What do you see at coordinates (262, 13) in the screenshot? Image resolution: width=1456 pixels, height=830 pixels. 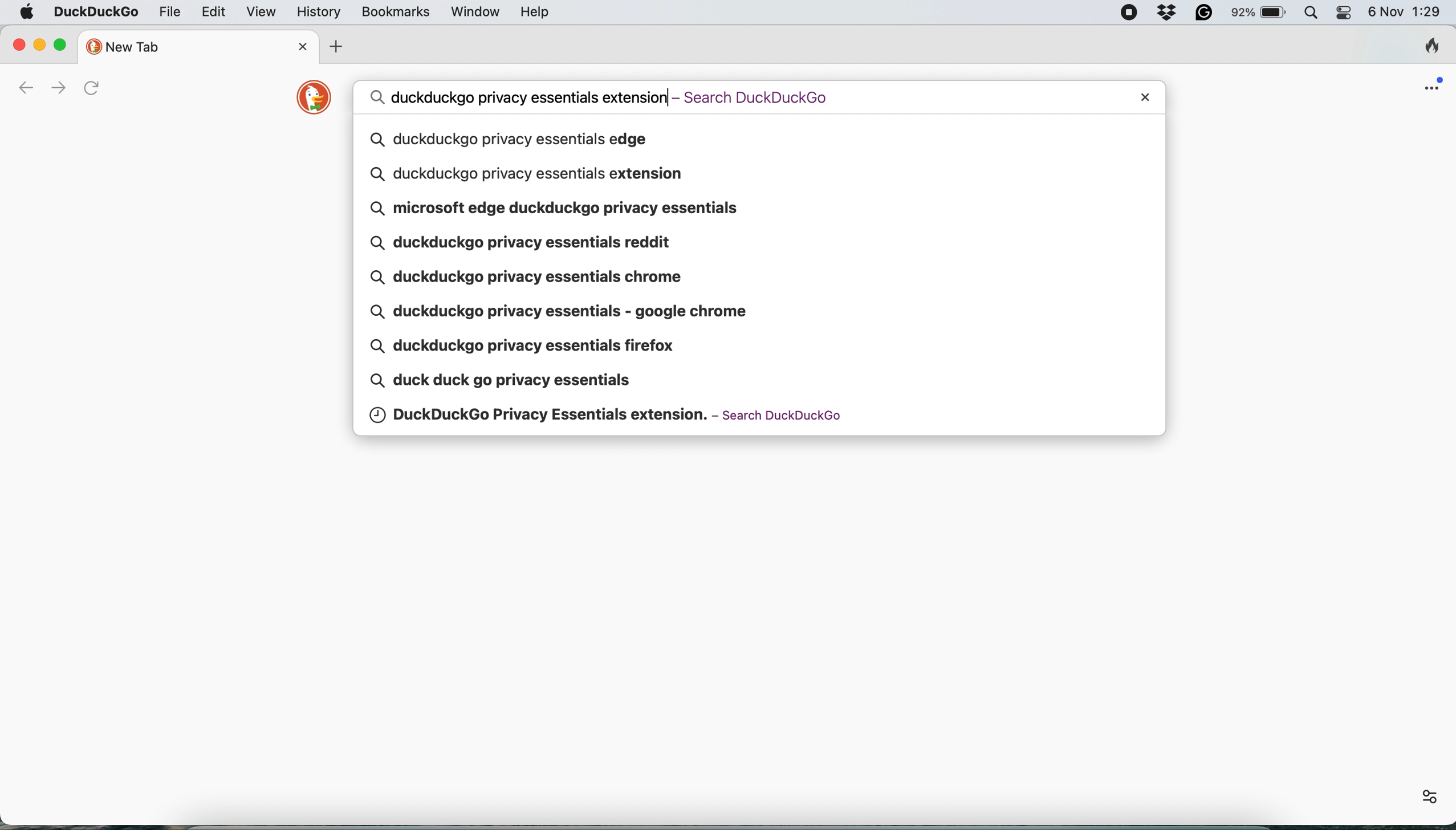 I see `view` at bounding box center [262, 13].